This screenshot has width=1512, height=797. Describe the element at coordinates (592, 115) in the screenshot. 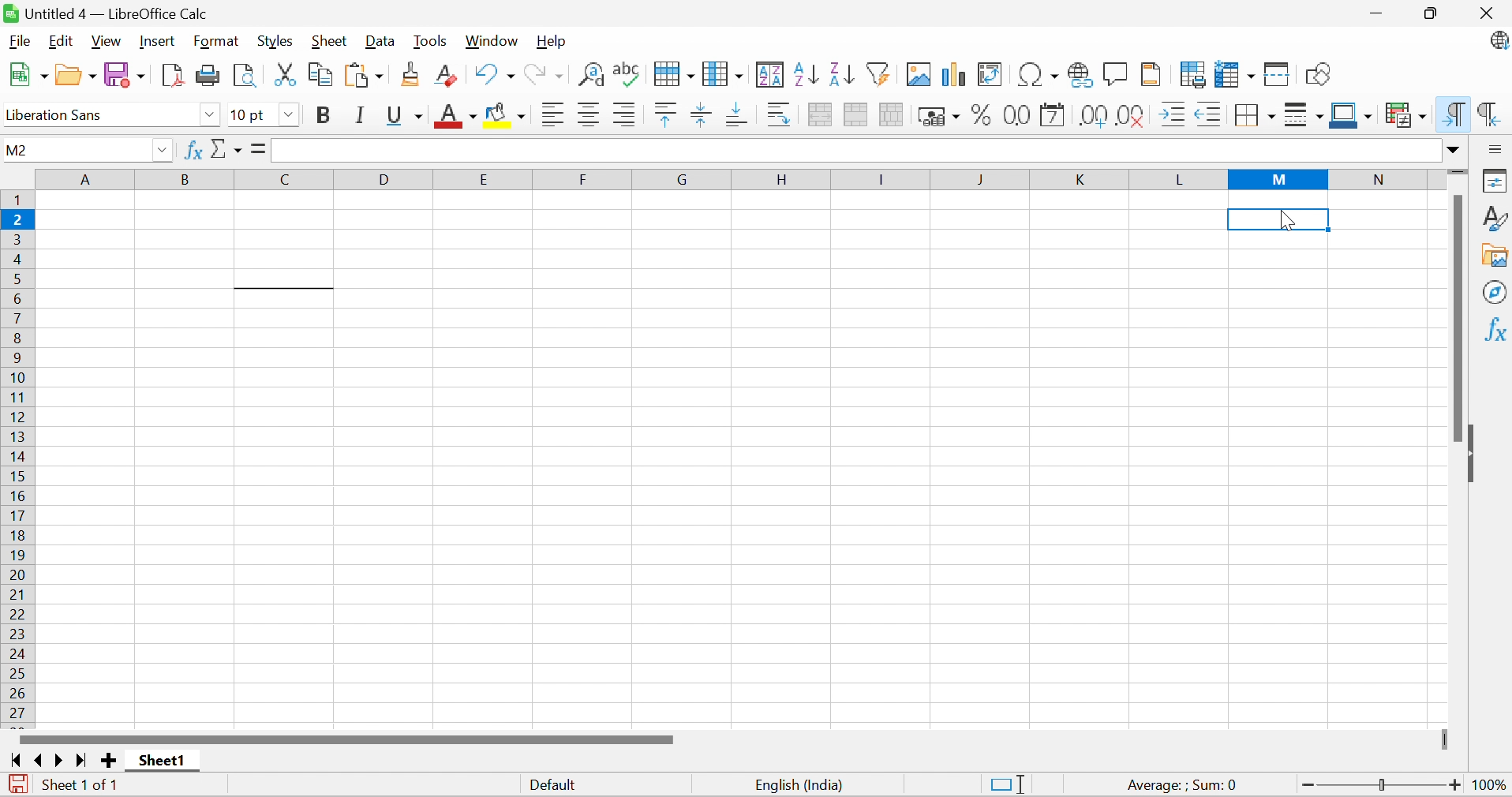

I see `Align center` at that location.